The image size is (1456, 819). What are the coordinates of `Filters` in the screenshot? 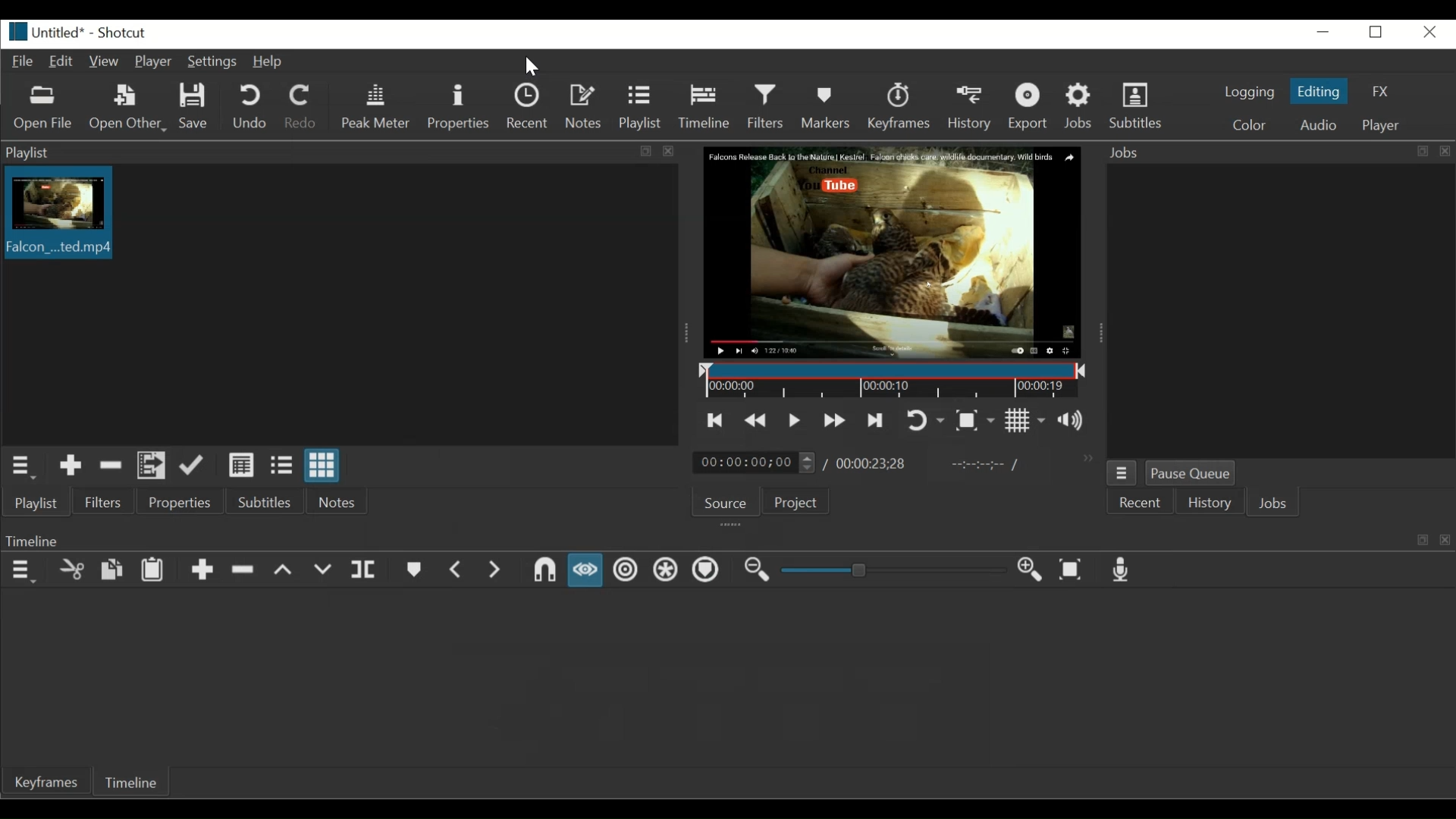 It's located at (103, 502).